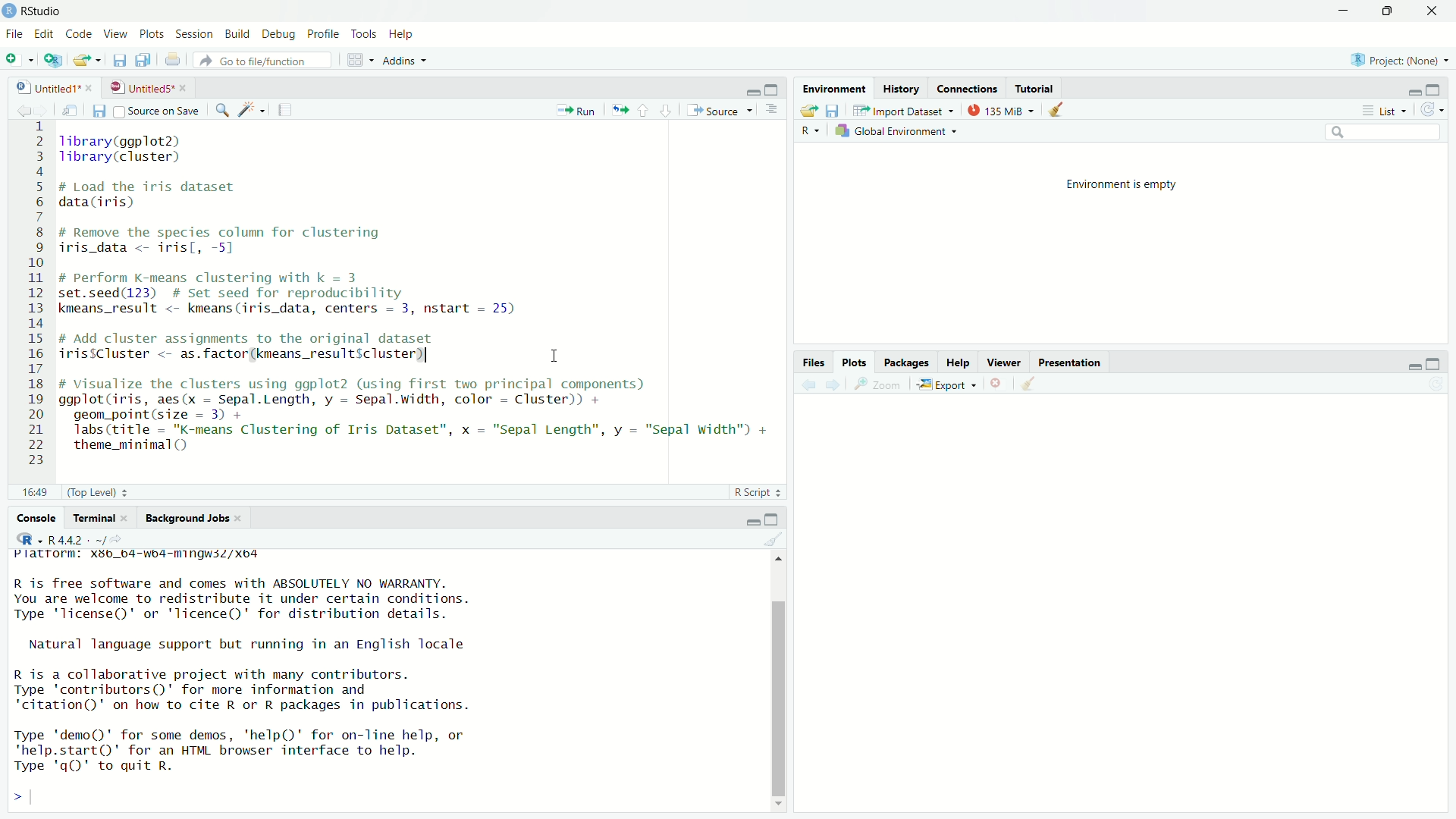 The image size is (1456, 819). I want to click on source, so click(721, 110).